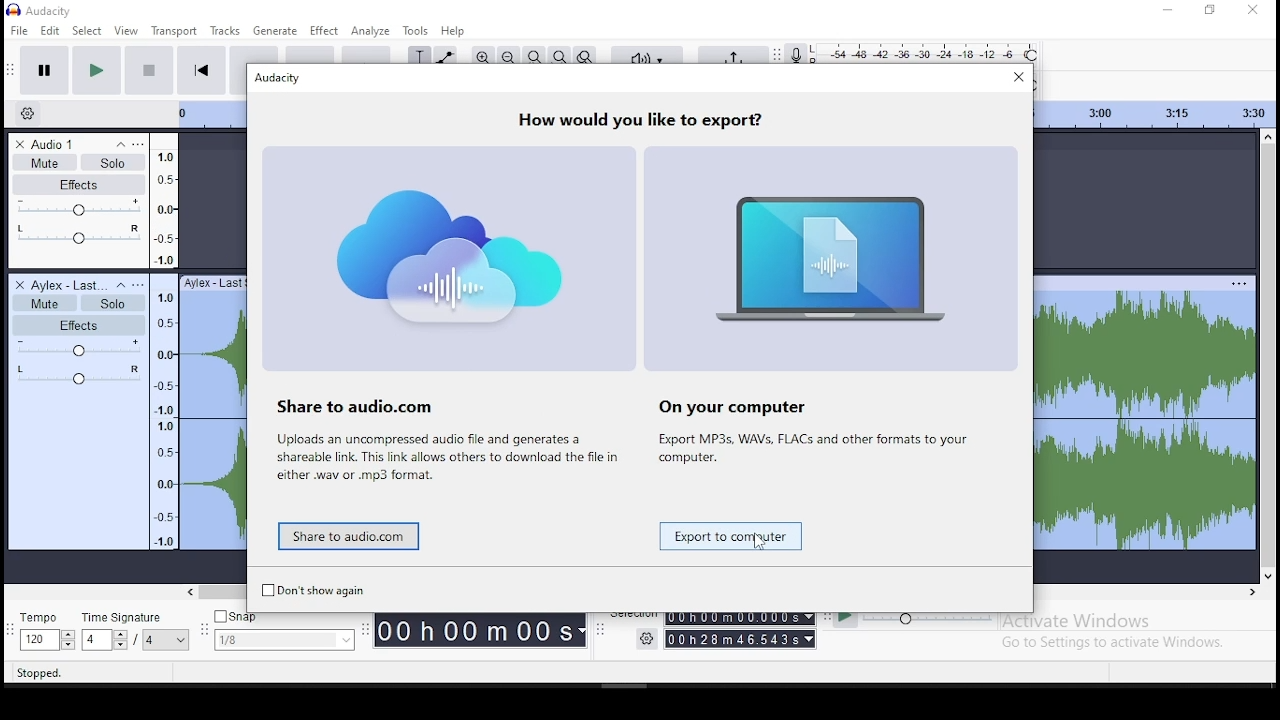 This screenshot has width=1280, height=720. Describe the element at coordinates (584, 55) in the screenshot. I see `zoom toggle` at that location.